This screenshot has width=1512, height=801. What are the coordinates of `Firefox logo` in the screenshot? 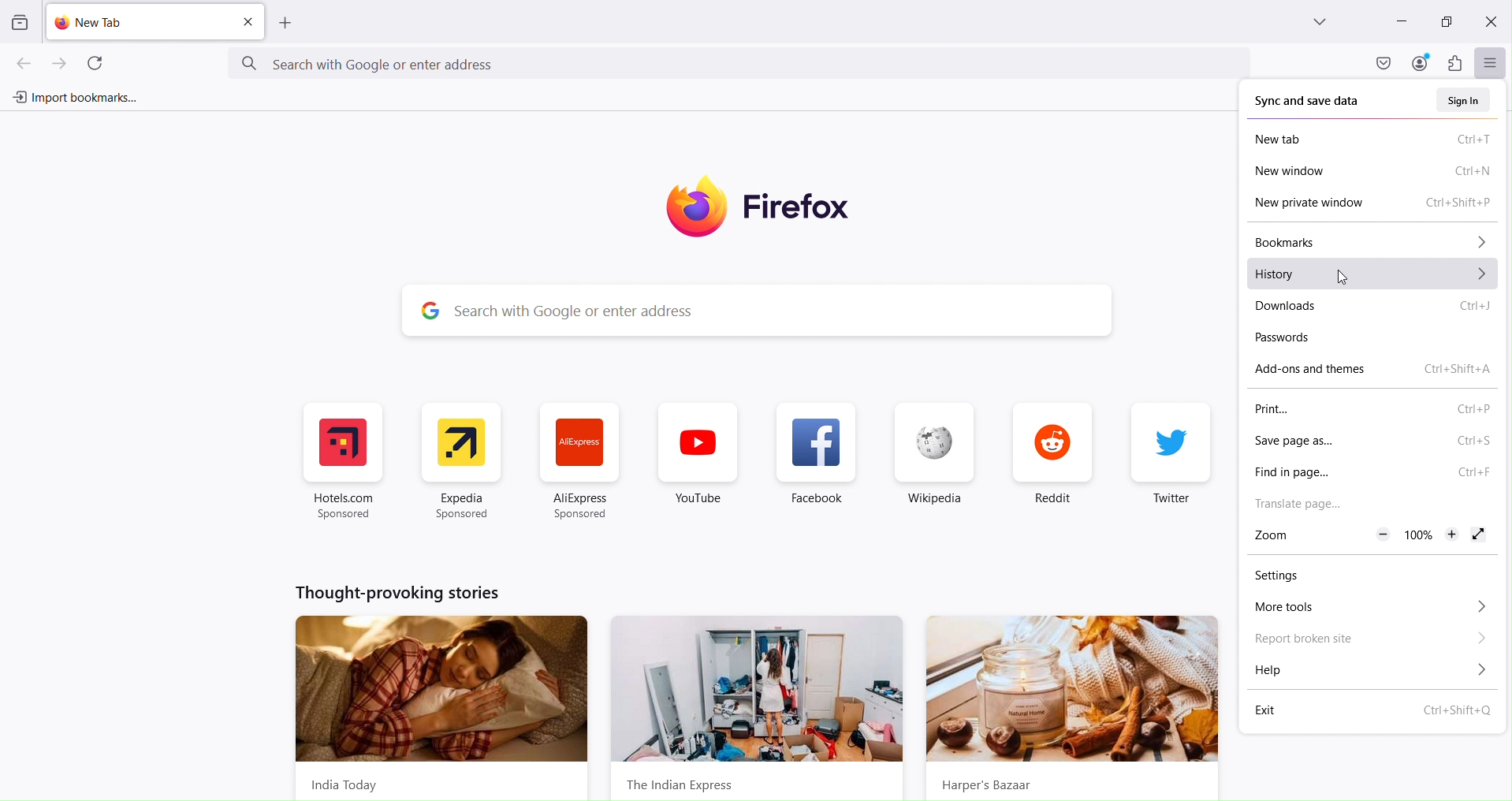 It's located at (769, 207).